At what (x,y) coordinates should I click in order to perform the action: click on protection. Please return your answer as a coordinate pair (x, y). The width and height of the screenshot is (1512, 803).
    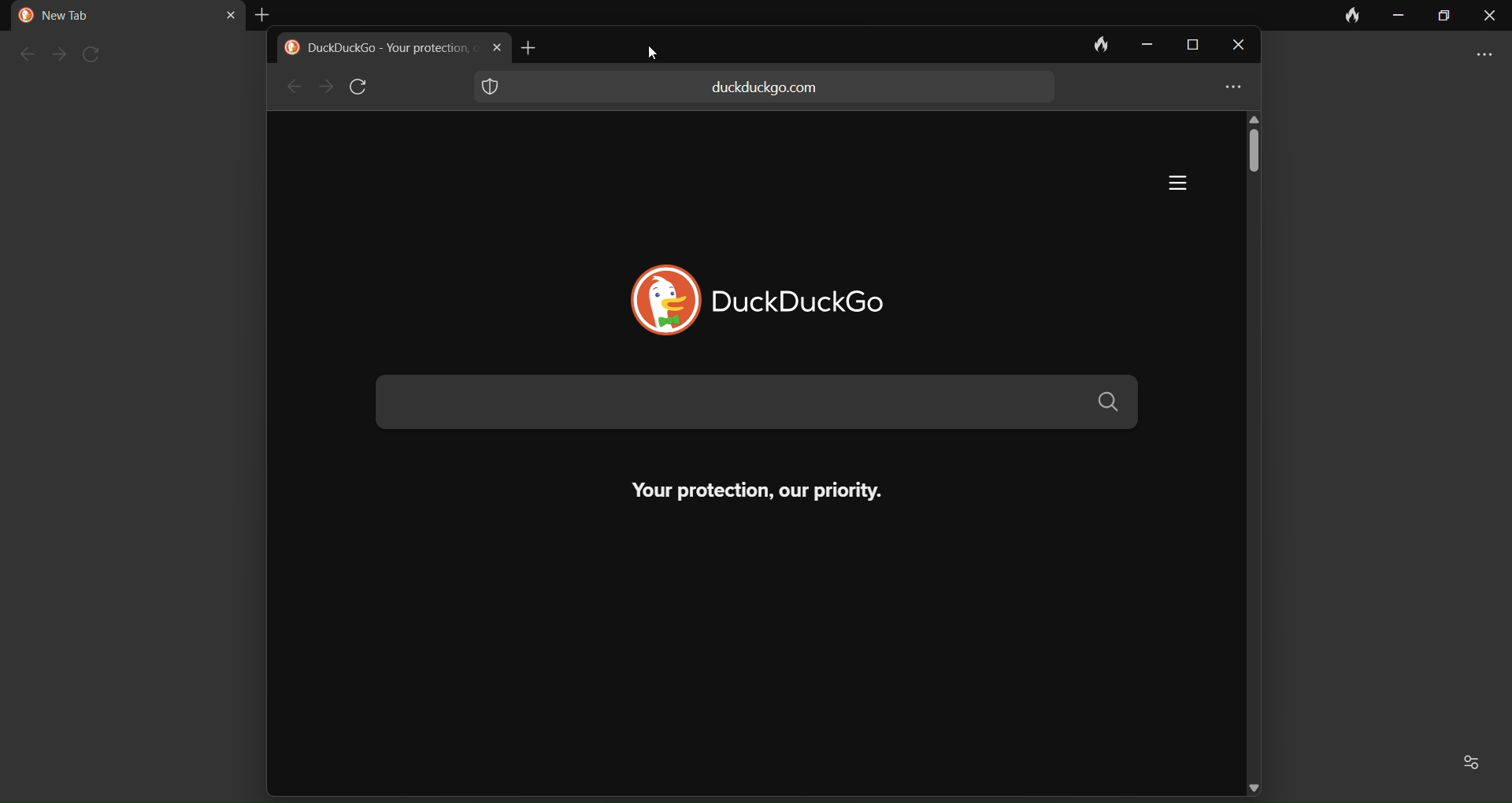
    Looking at the image, I should click on (498, 90).